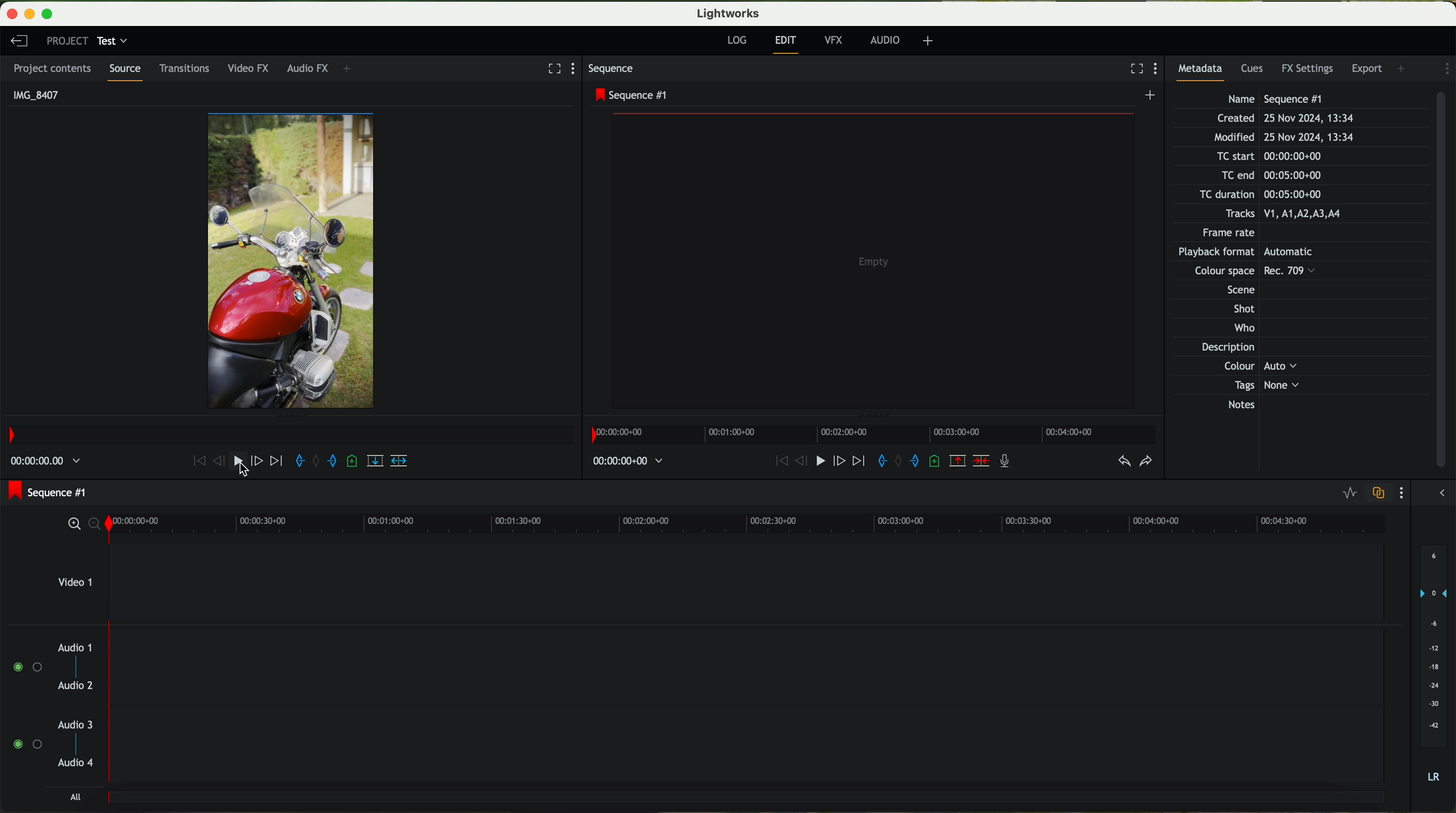  I want to click on audio 4, so click(76, 766).